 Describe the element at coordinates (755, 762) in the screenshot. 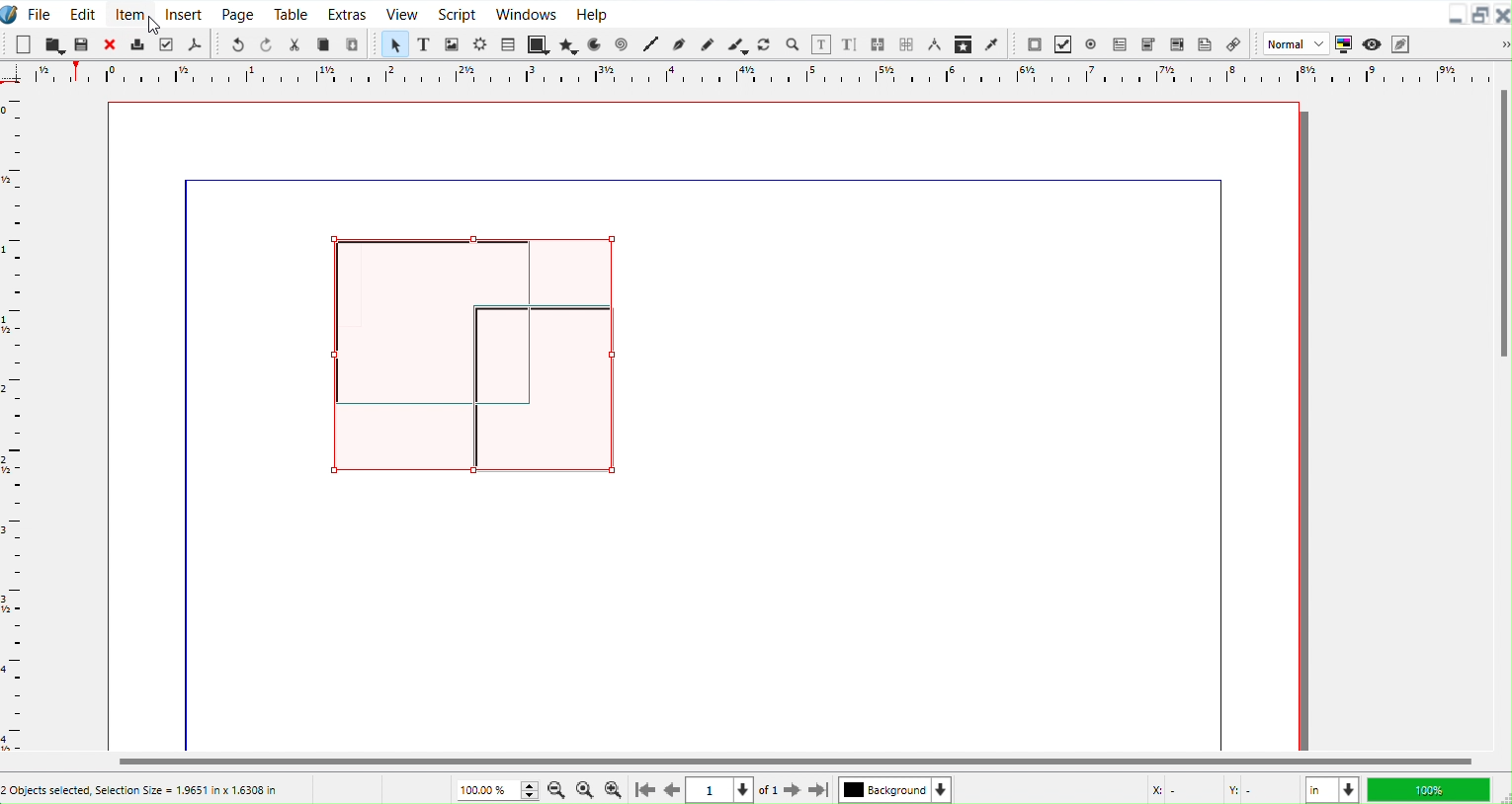

I see `Horizontal Scroll bar` at that location.